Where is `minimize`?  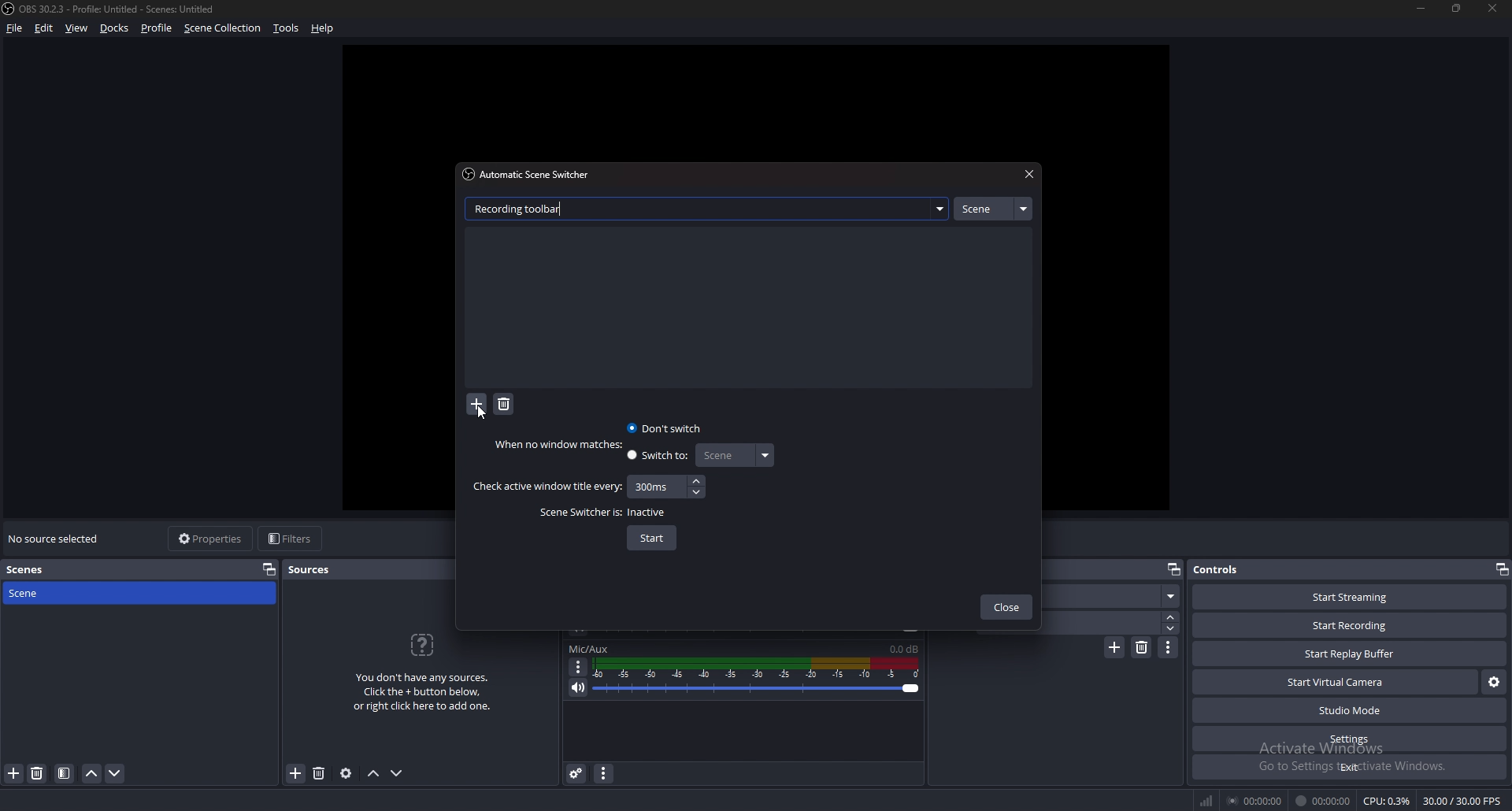
minimize is located at coordinates (1421, 8).